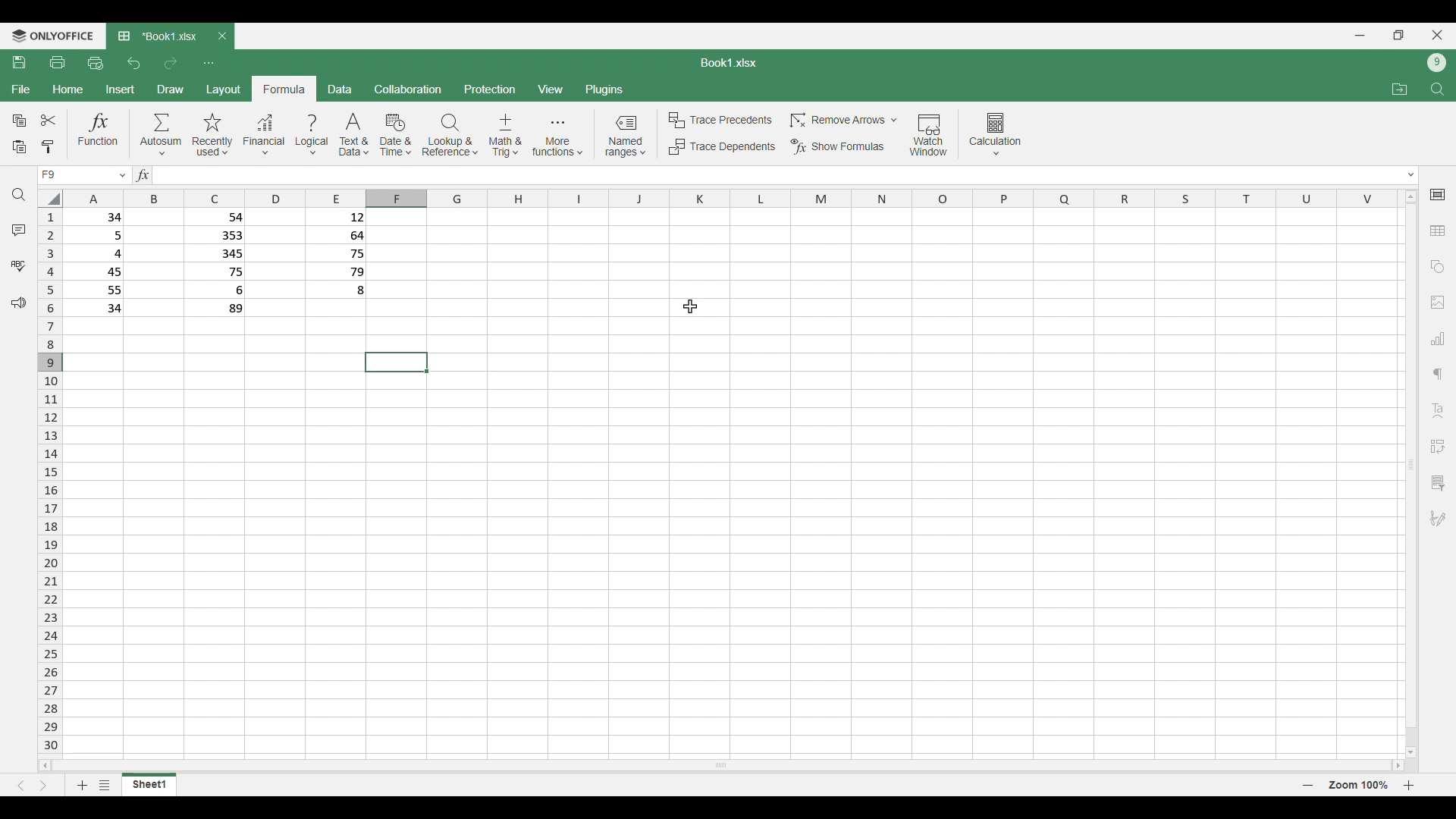 This screenshot has width=1456, height=819. Describe the element at coordinates (1438, 303) in the screenshot. I see `Insert images` at that location.